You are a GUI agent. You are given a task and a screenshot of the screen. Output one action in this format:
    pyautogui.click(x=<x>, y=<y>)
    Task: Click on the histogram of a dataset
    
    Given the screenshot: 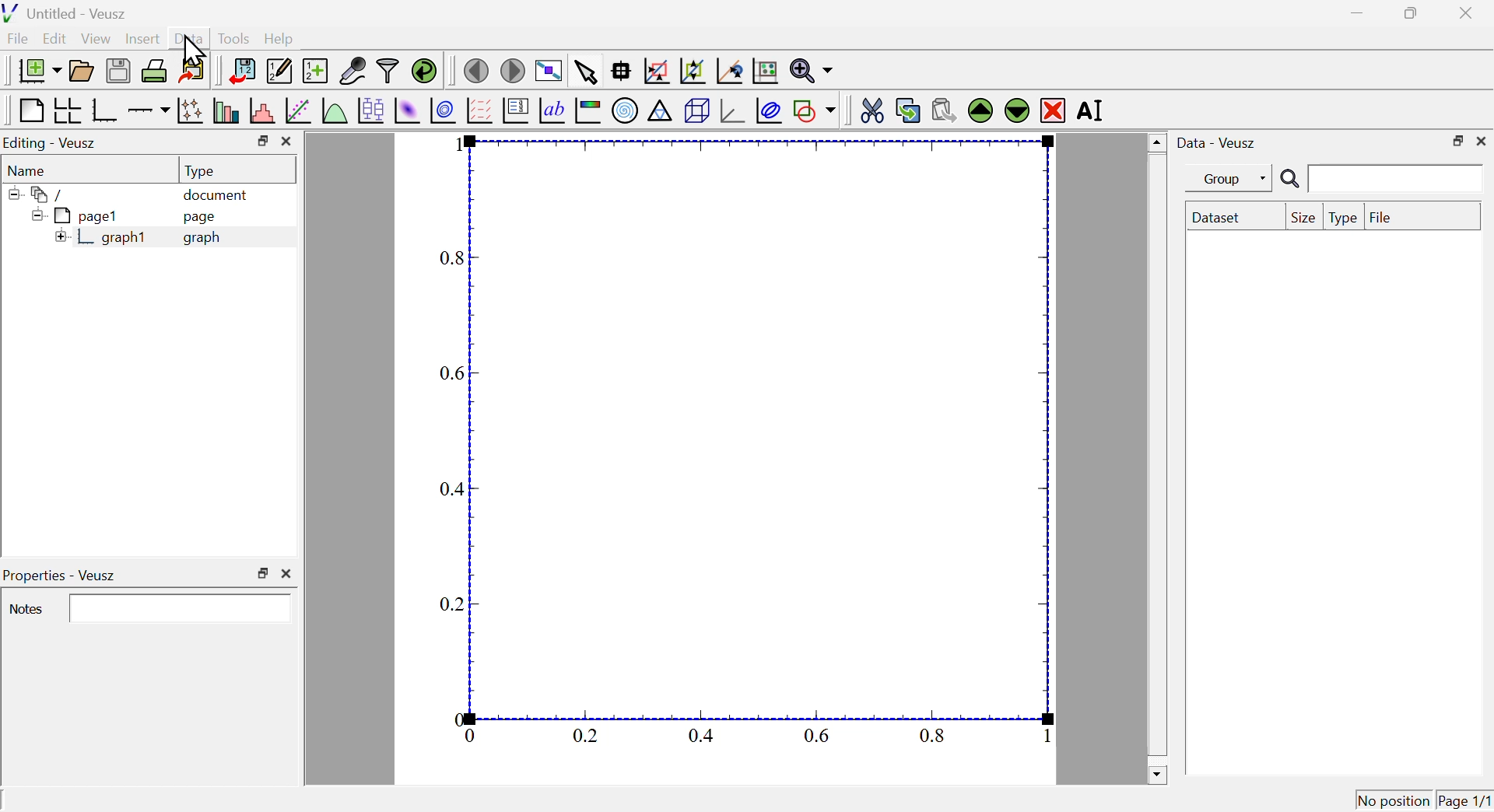 What is the action you would take?
    pyautogui.click(x=261, y=110)
    